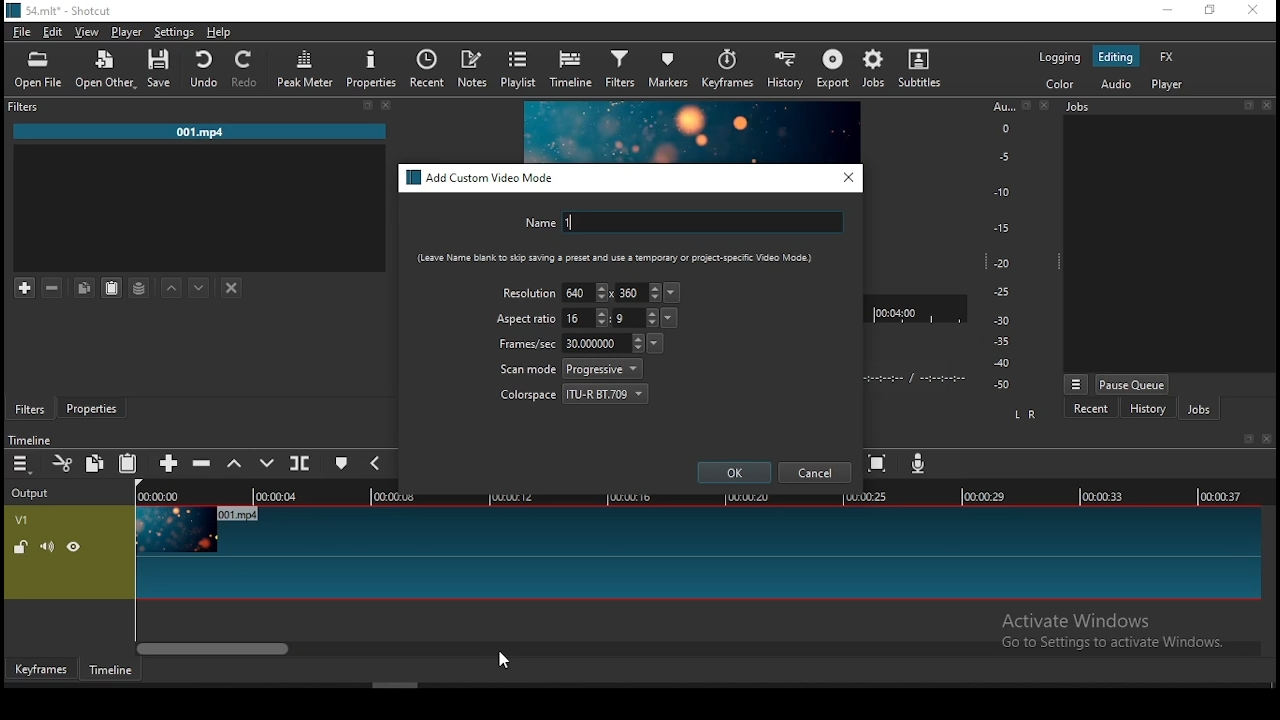 This screenshot has width=1280, height=720. Describe the element at coordinates (22, 34) in the screenshot. I see `file` at that location.